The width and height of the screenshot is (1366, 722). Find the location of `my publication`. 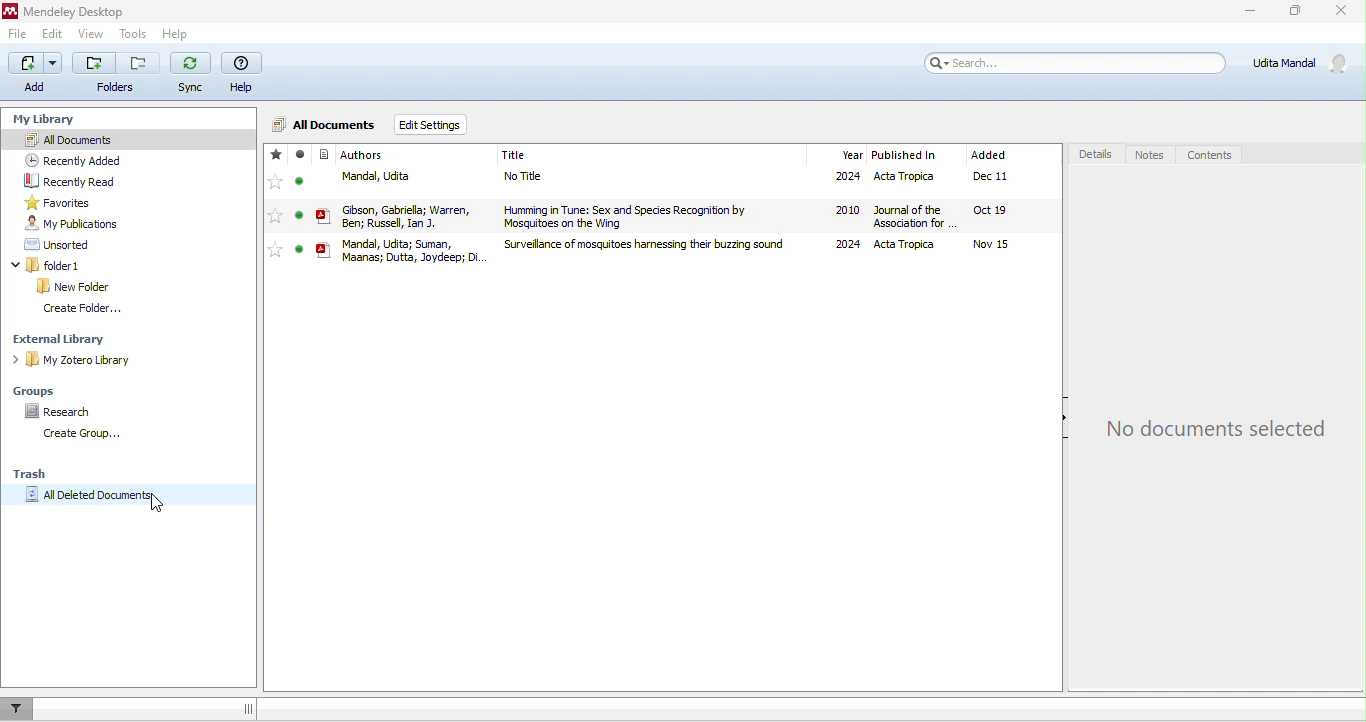

my publication is located at coordinates (80, 223).